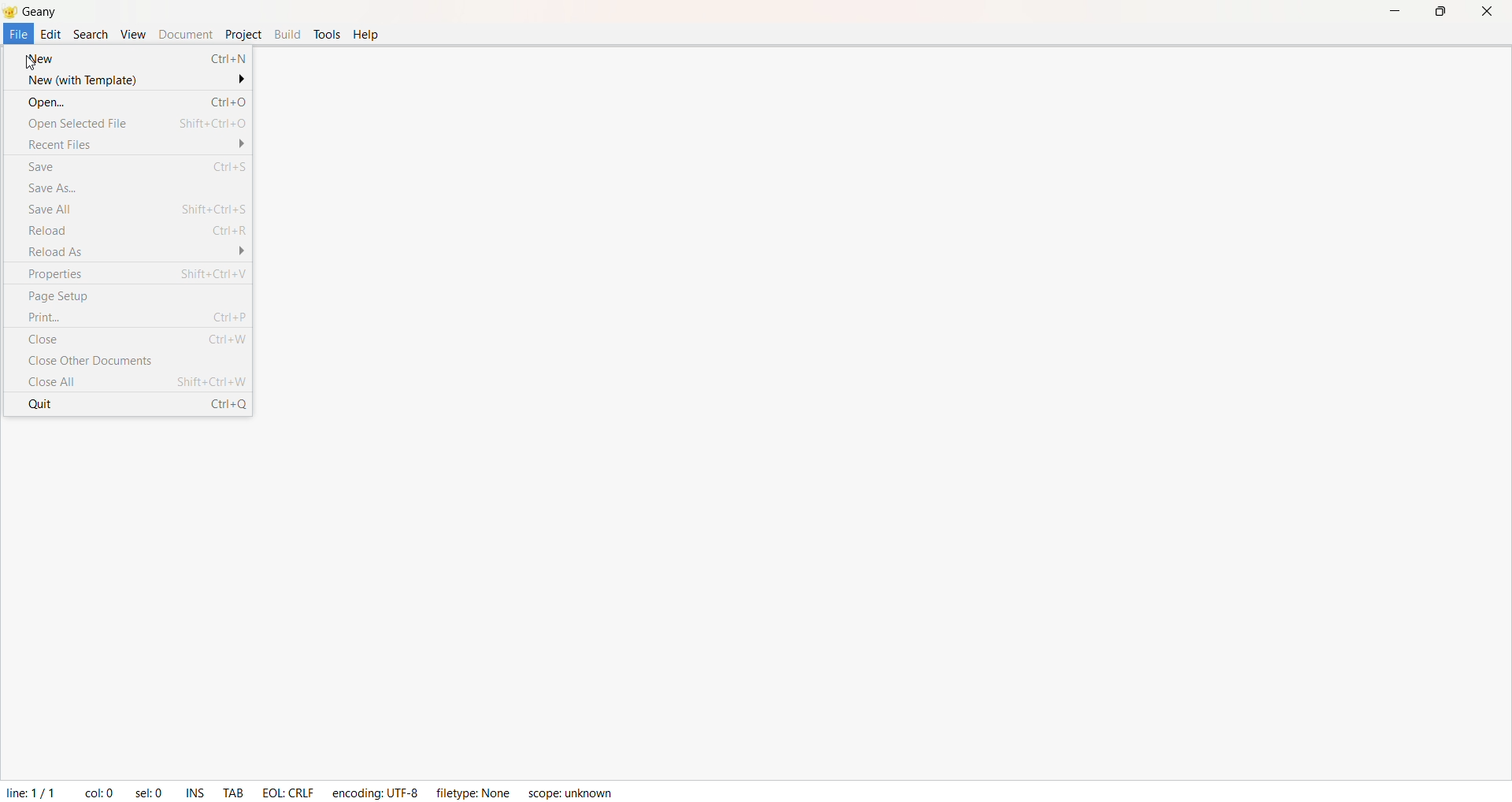 Image resolution: width=1512 pixels, height=802 pixels. Describe the element at coordinates (291, 790) in the screenshot. I see `EOL: CTRLF` at that location.